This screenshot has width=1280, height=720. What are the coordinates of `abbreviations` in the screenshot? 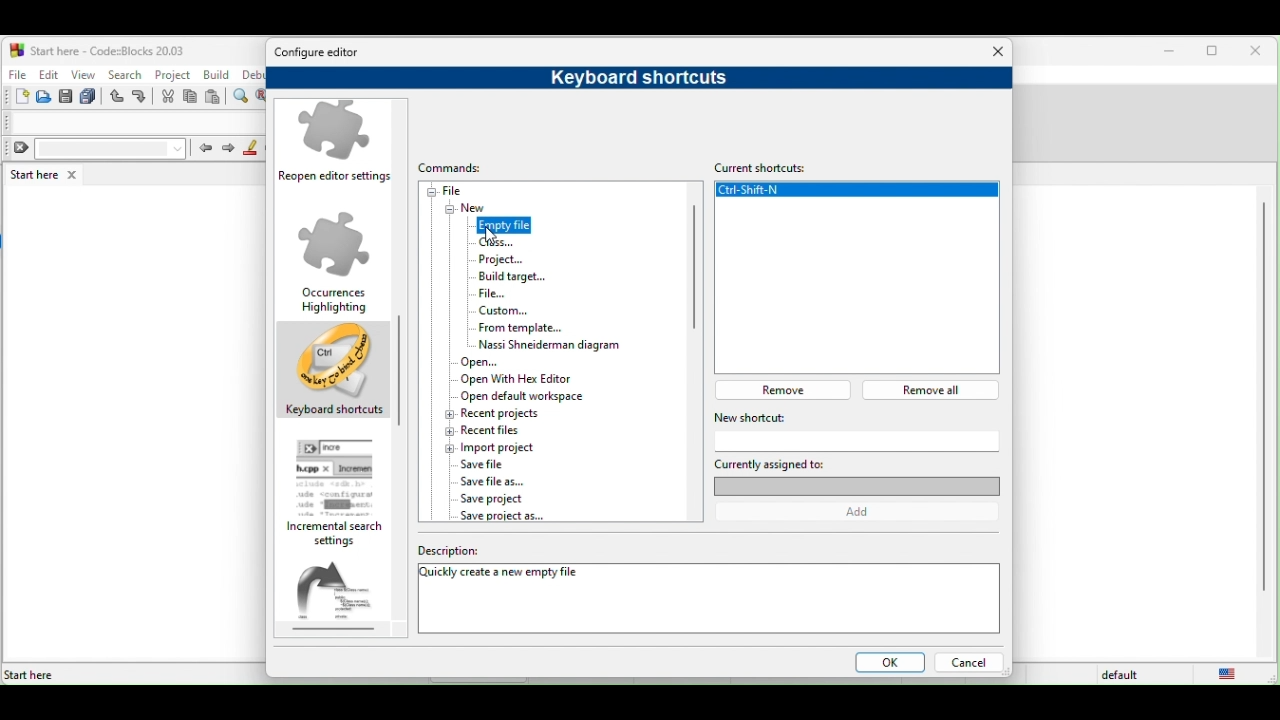 It's located at (342, 597).